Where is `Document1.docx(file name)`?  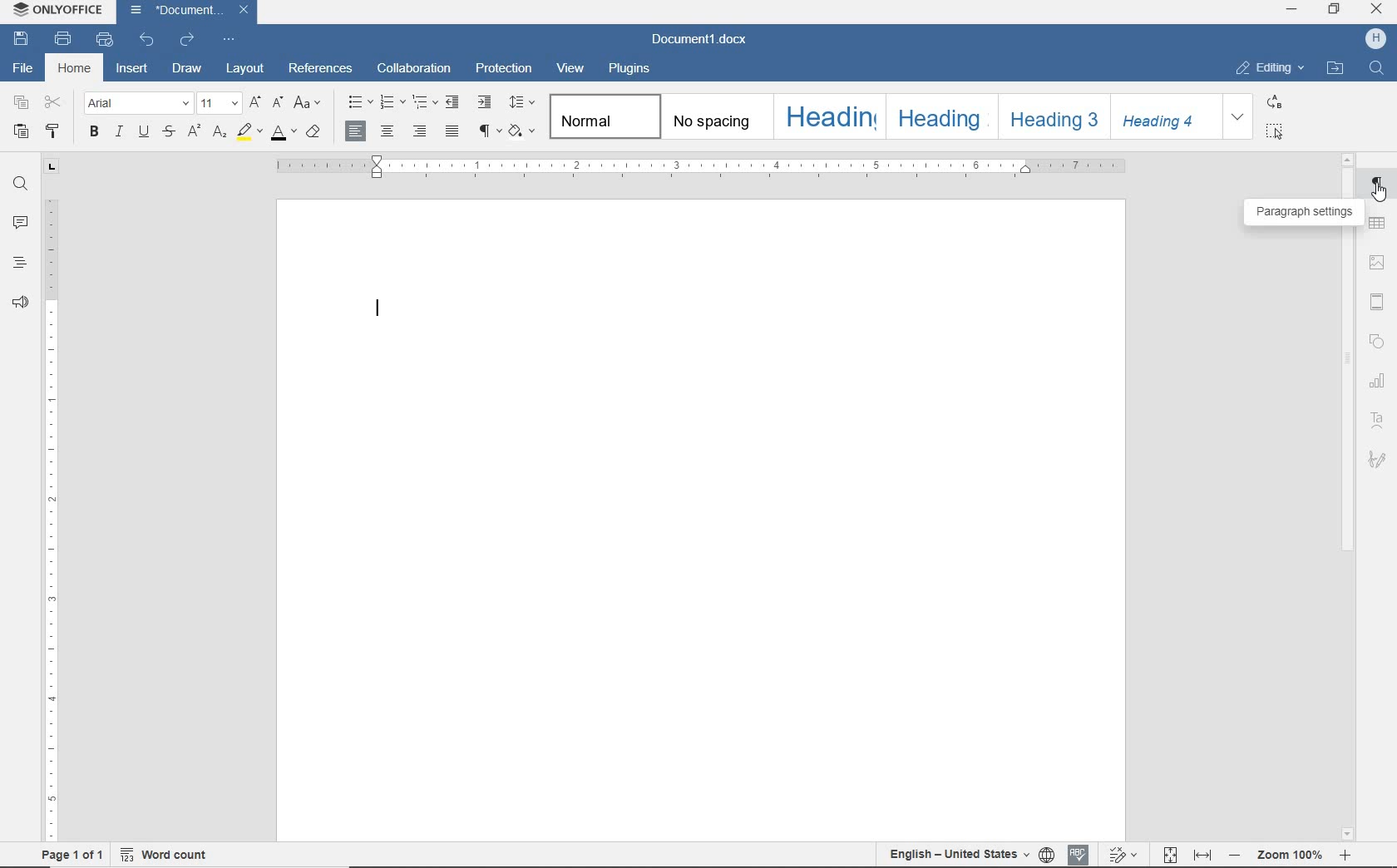 Document1.docx(file name) is located at coordinates (187, 11).